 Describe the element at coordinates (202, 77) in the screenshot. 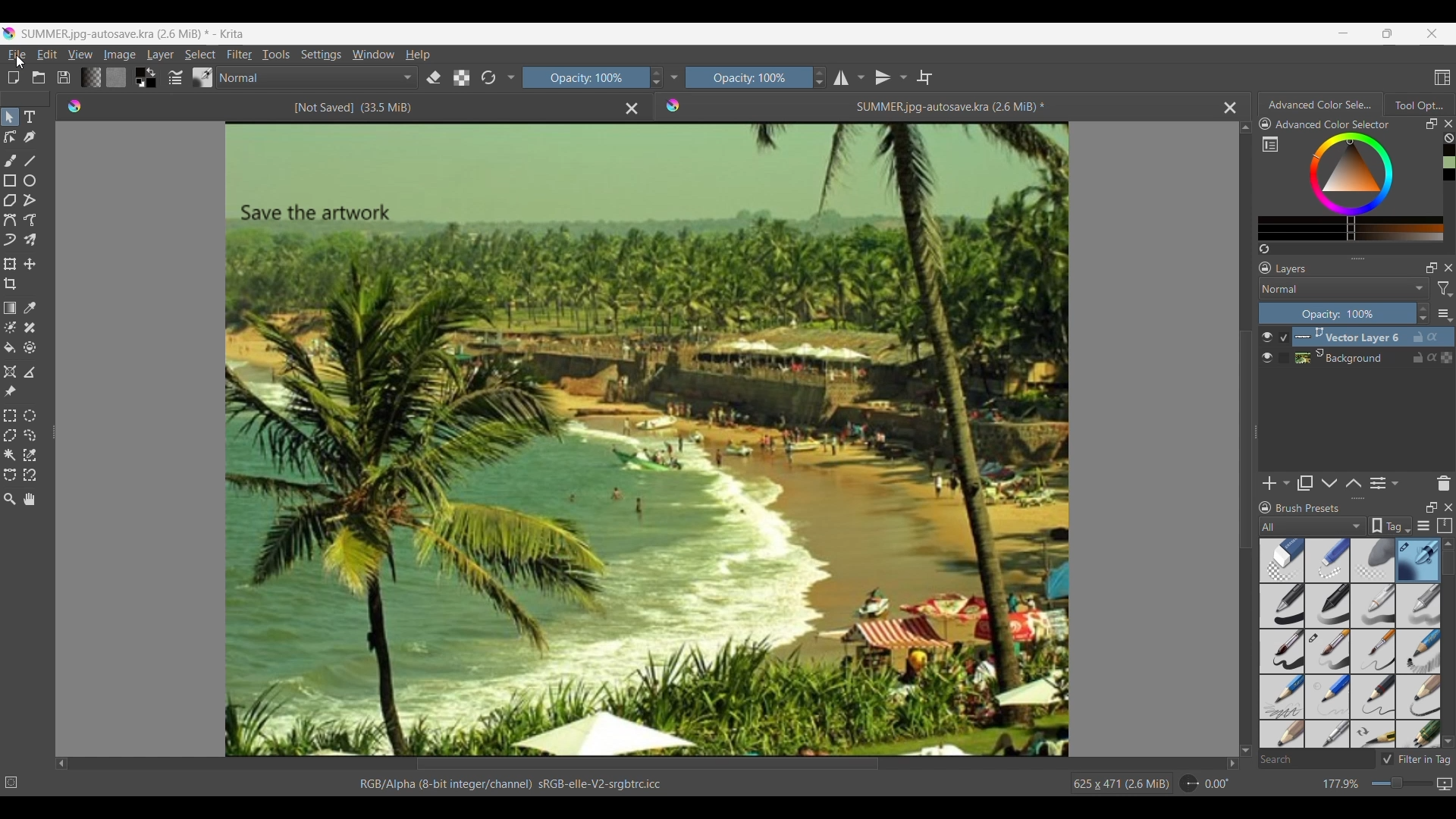

I see `Choose brush preset` at that location.